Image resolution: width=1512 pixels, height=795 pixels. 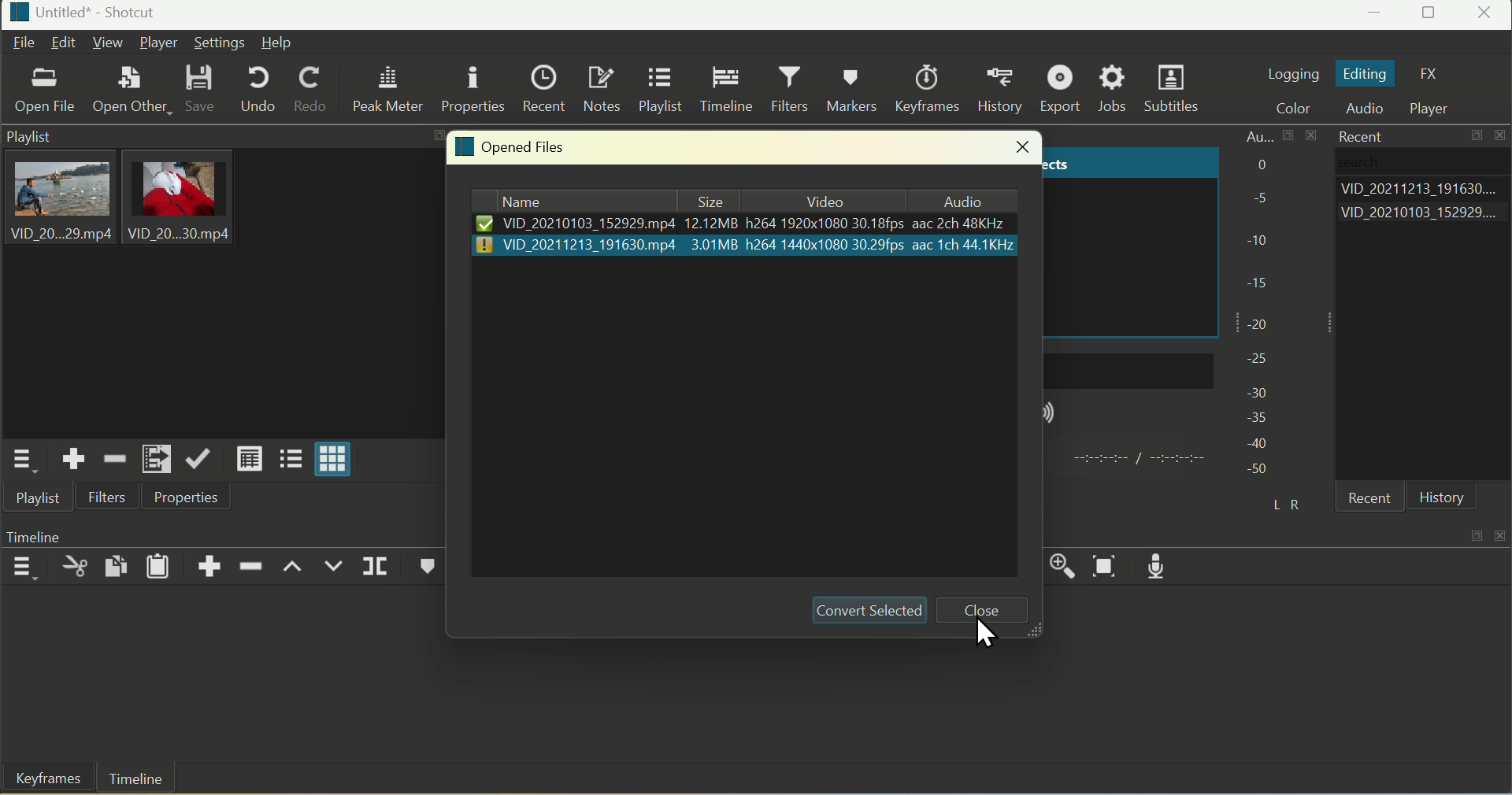 I want to click on Minimize, so click(x=1377, y=16).